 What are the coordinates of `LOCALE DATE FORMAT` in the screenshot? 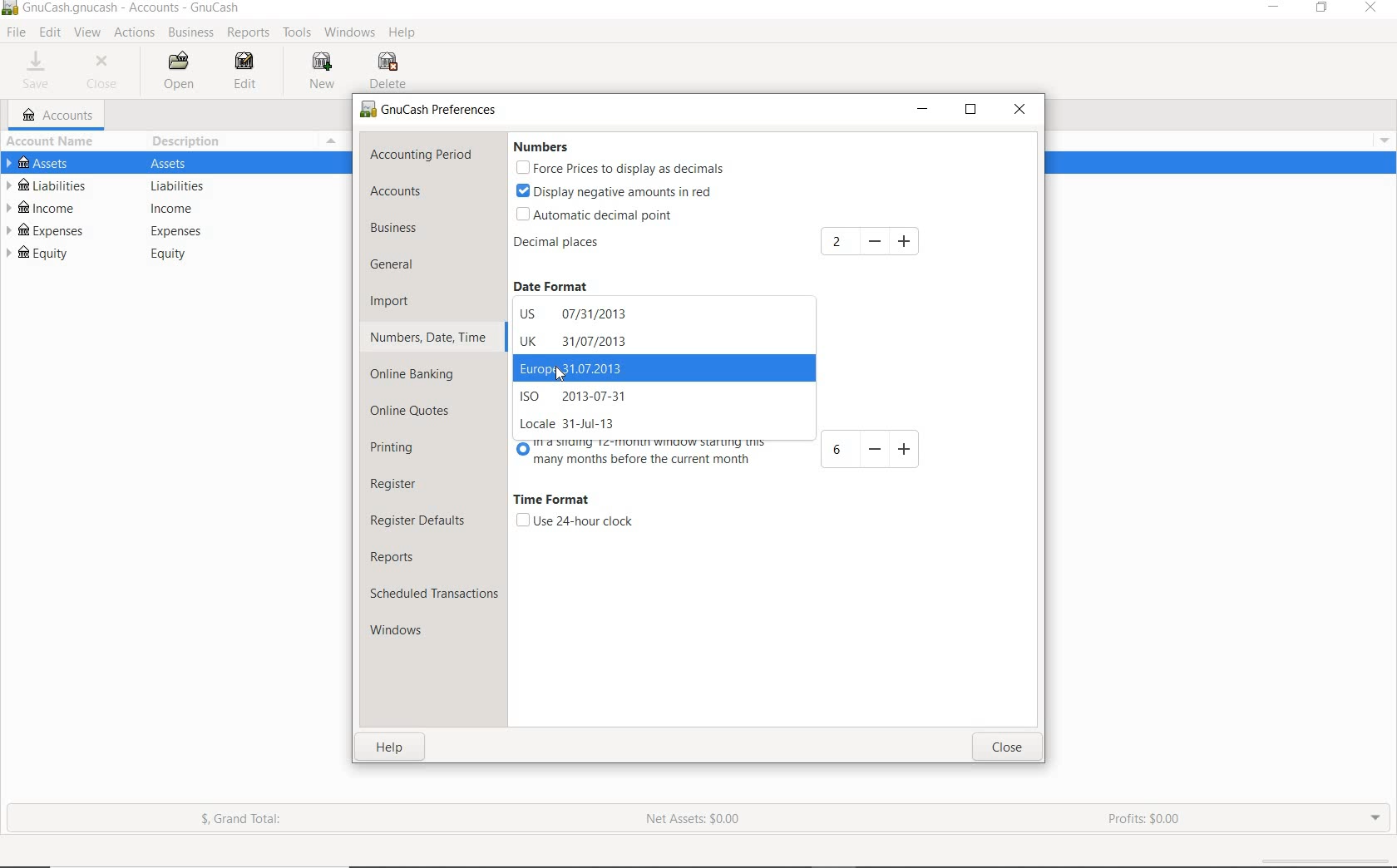 It's located at (572, 424).